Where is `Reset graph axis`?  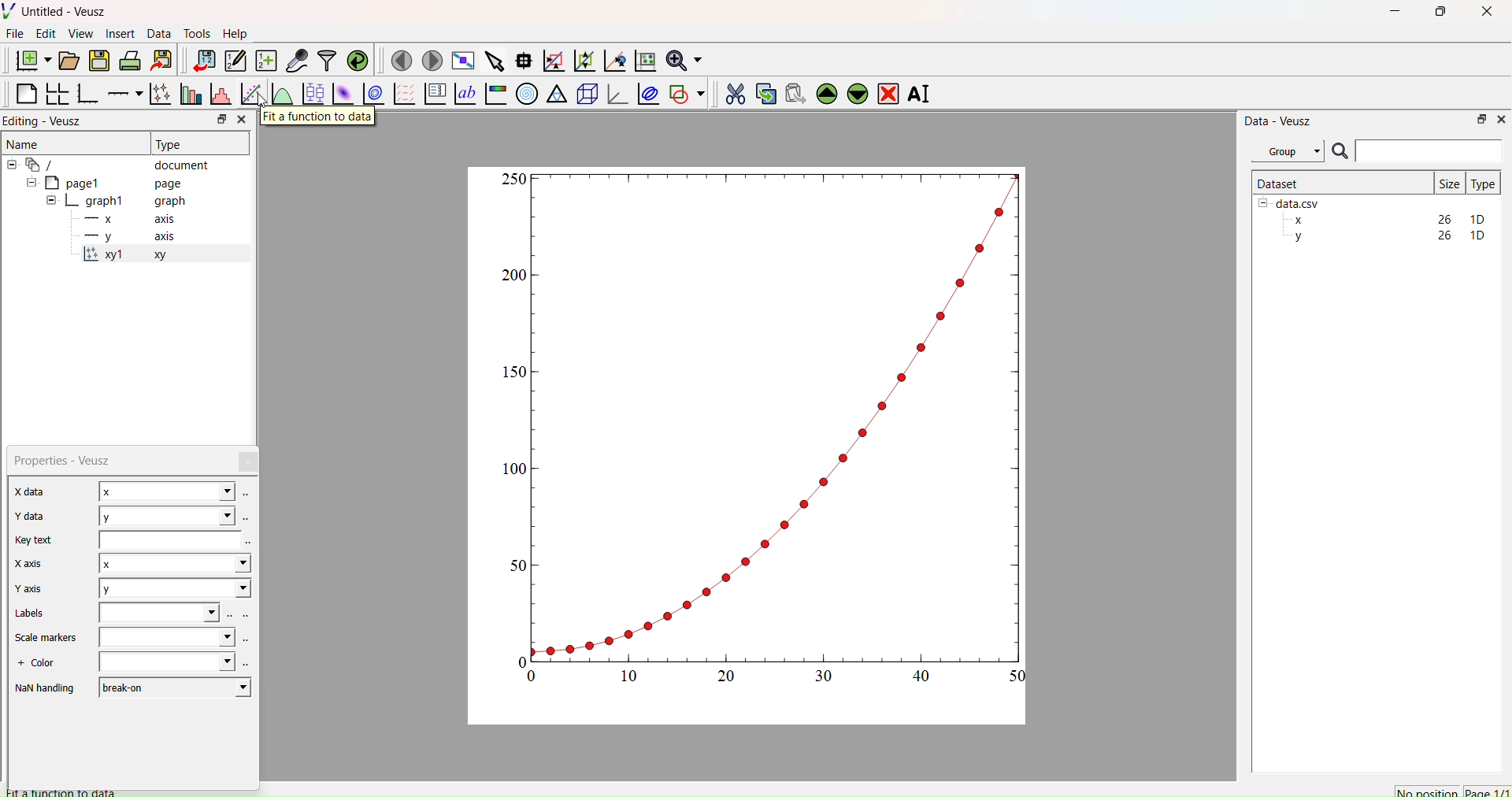 Reset graph axis is located at coordinates (643, 60).